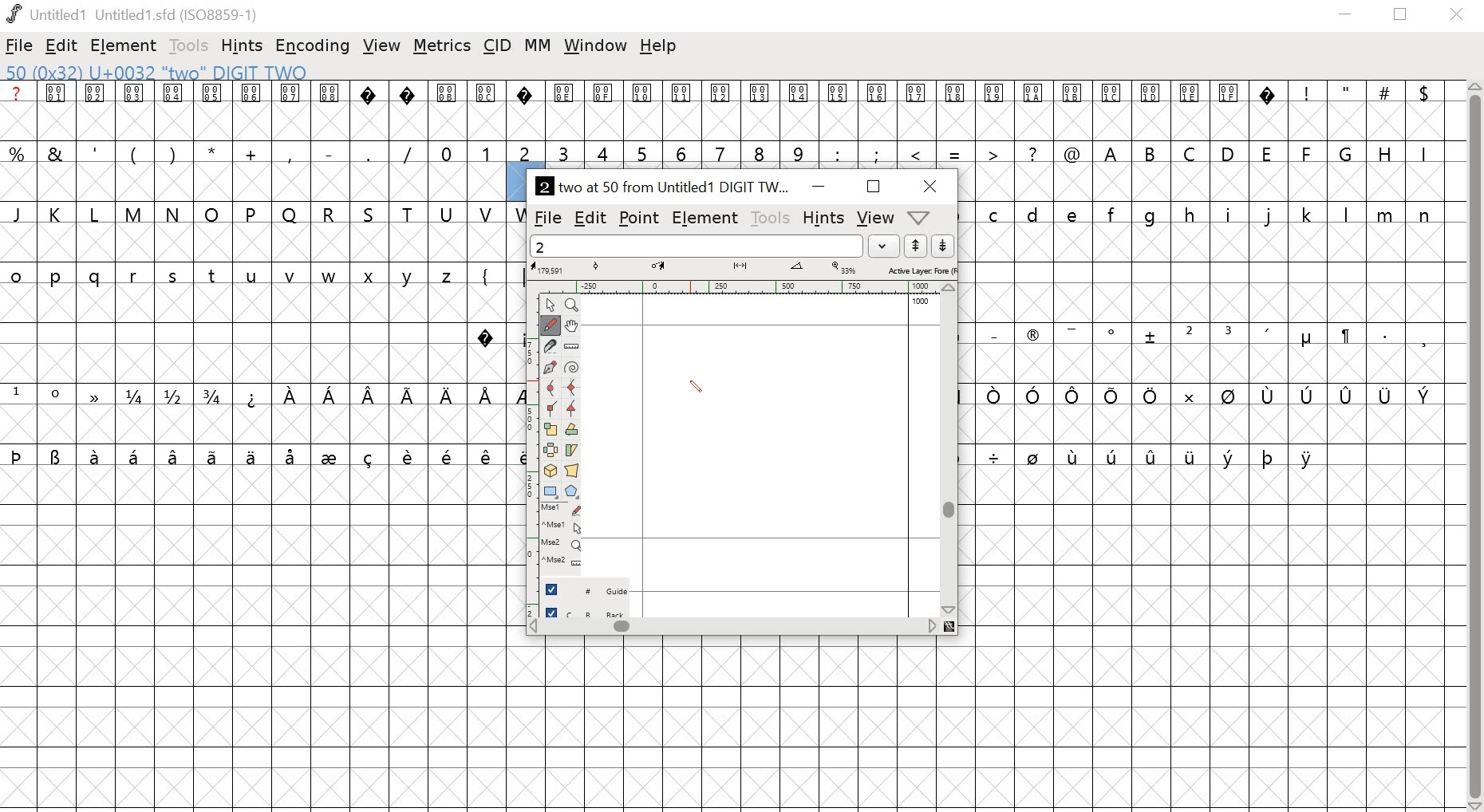  What do you see at coordinates (742, 288) in the screenshot?
I see `ruler` at bounding box center [742, 288].